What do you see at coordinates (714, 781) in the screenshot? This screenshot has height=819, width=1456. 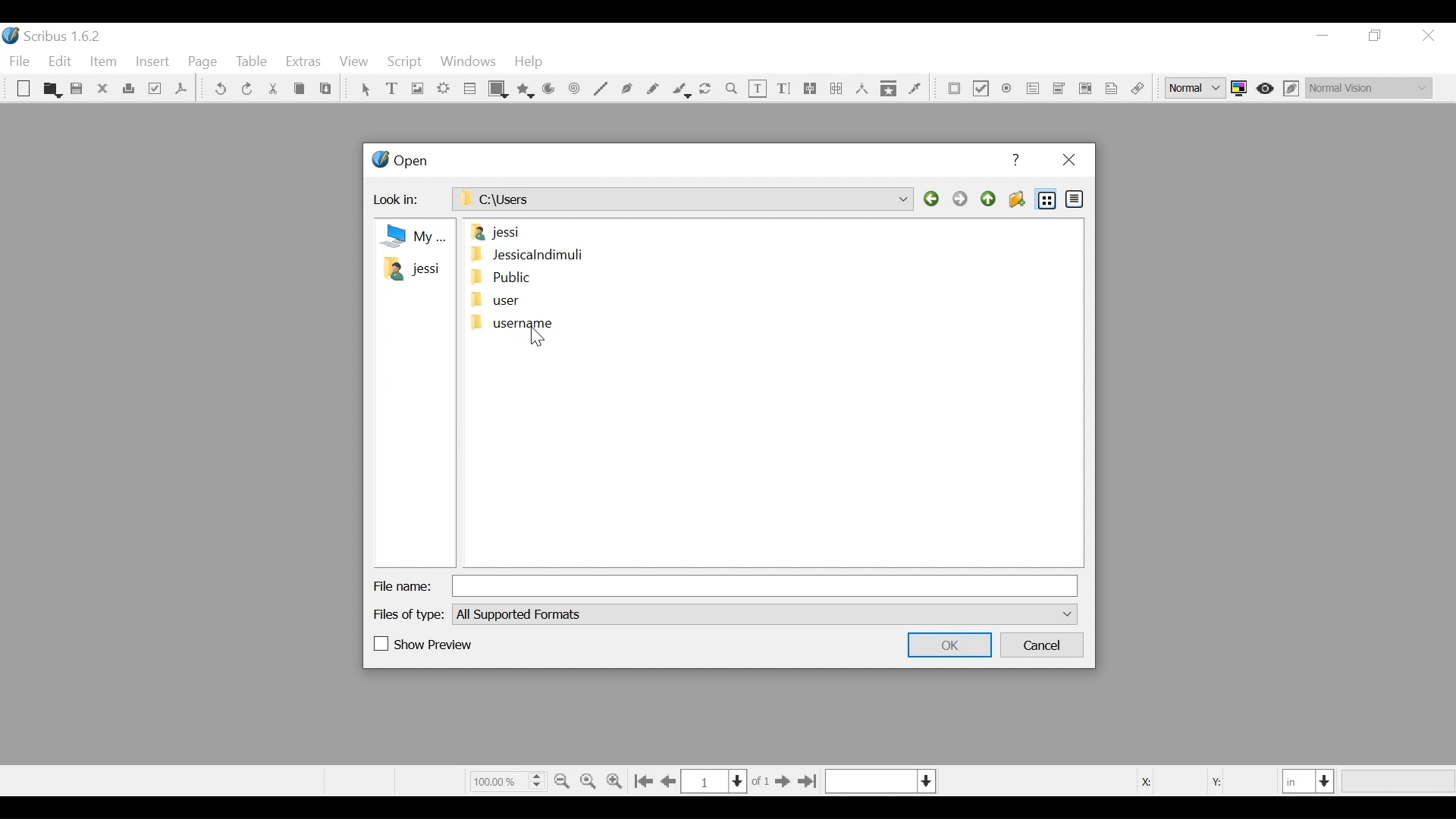 I see `Current Page` at bounding box center [714, 781].